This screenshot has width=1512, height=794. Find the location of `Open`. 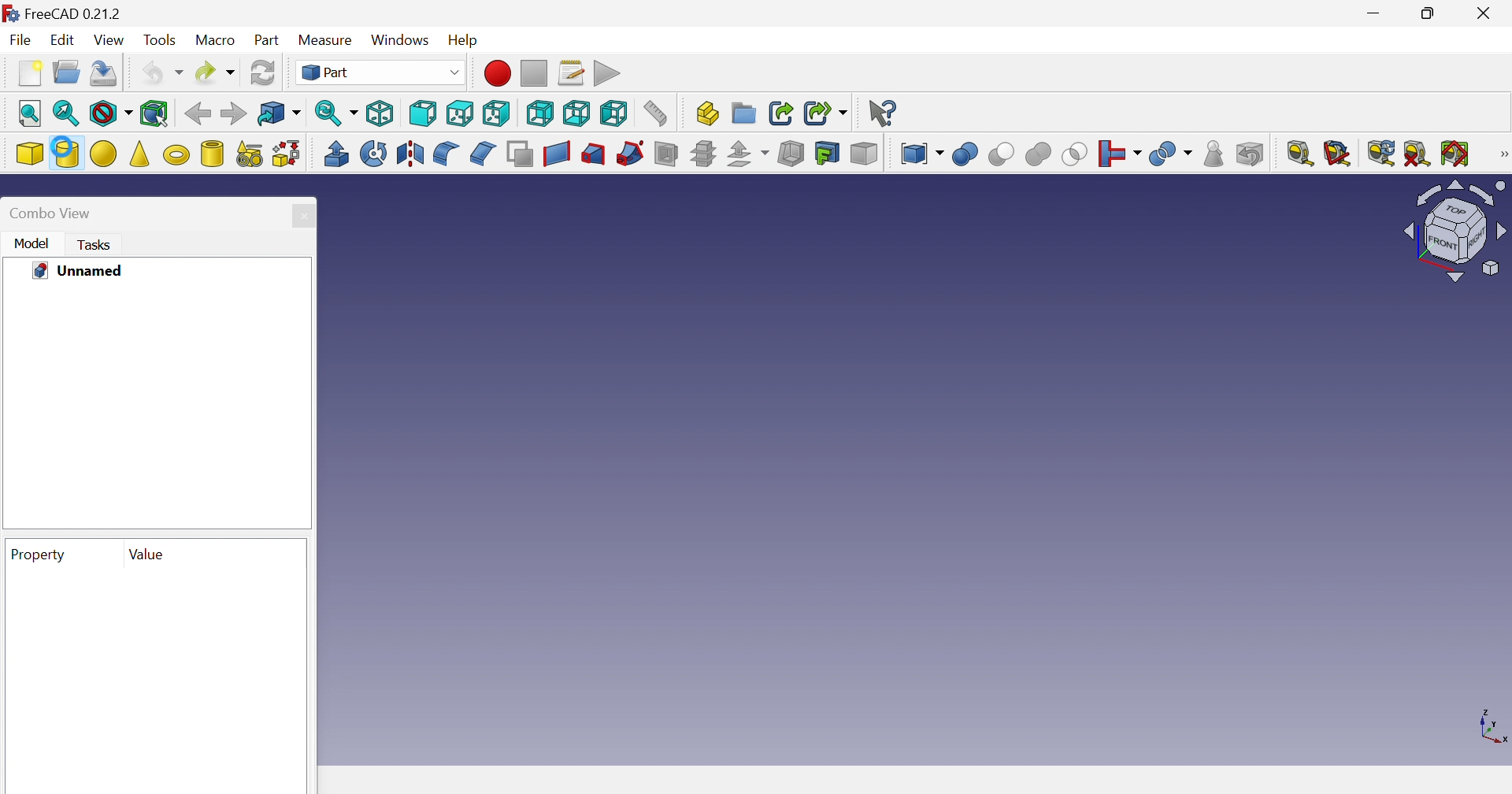

Open is located at coordinates (67, 70).